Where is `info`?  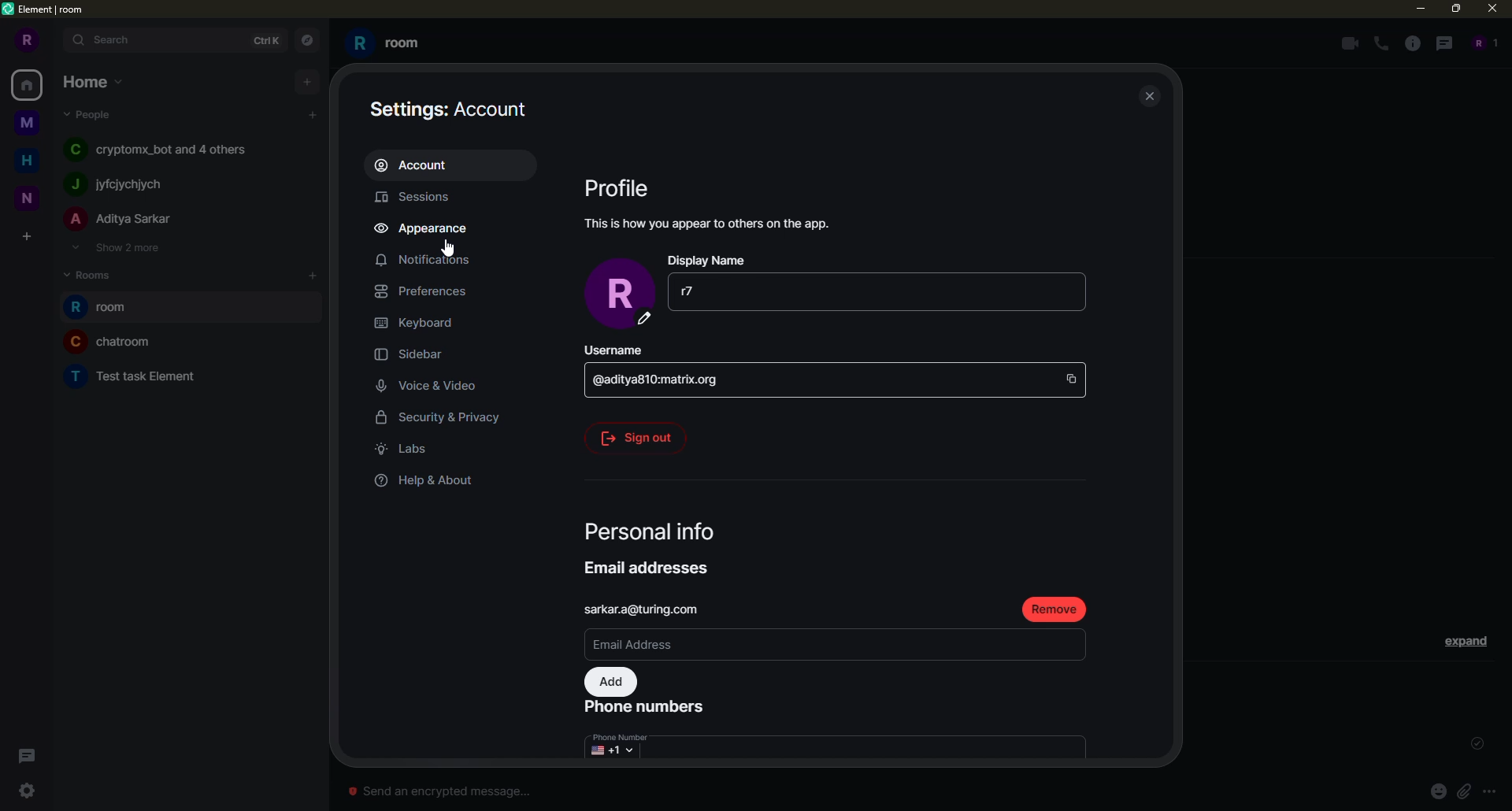 info is located at coordinates (710, 224).